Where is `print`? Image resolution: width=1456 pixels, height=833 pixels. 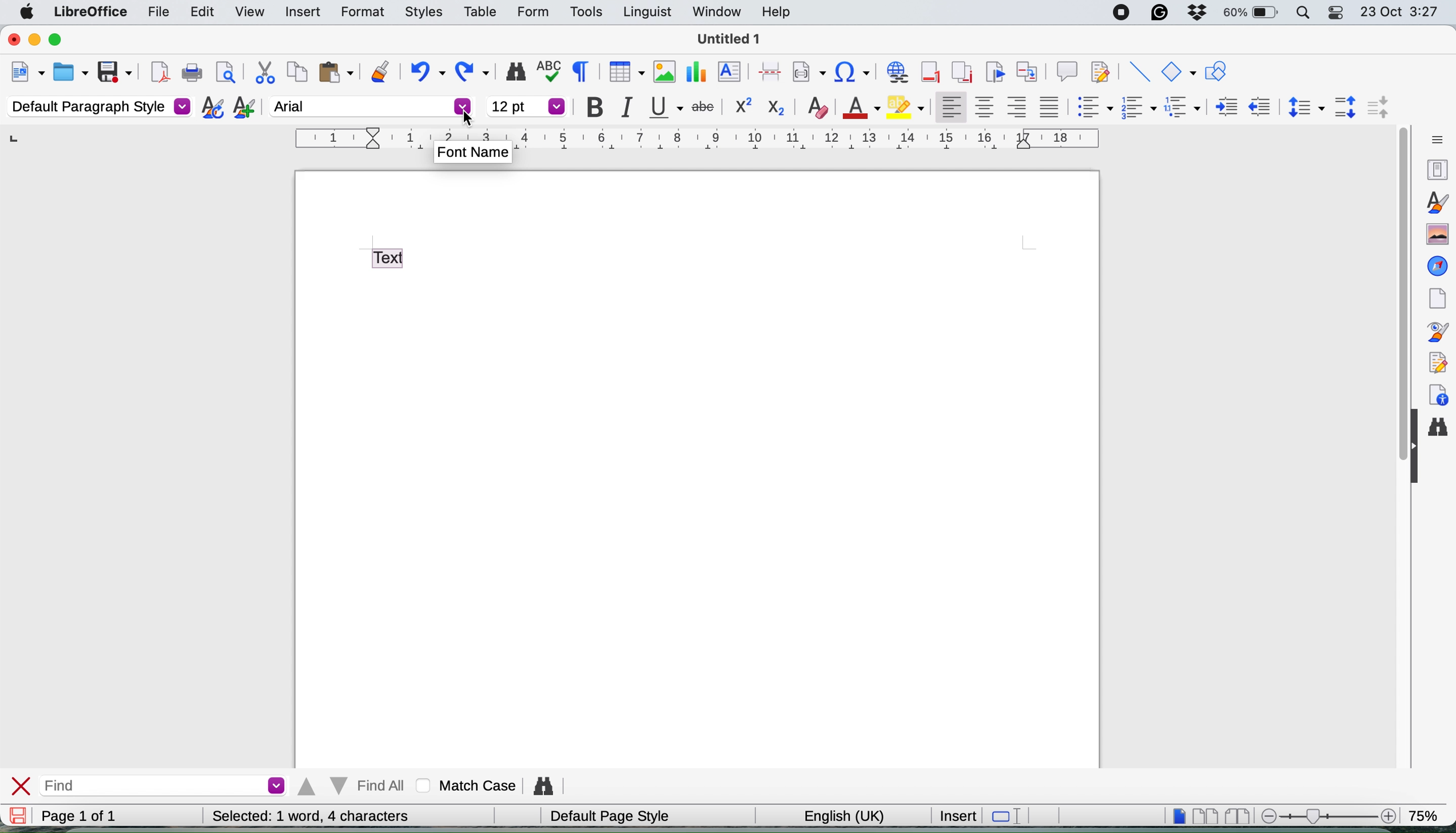
print is located at coordinates (191, 74).